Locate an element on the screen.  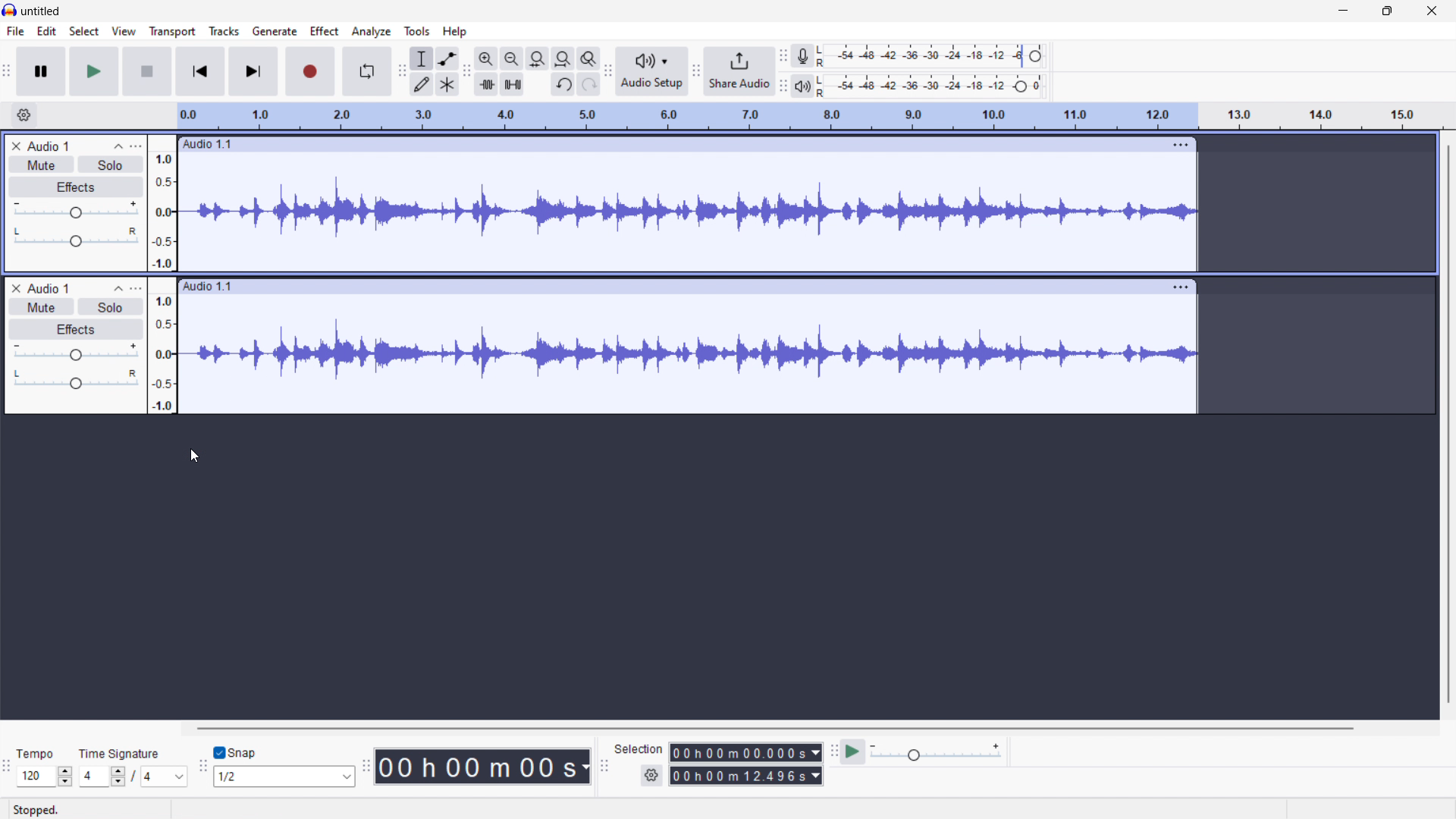
vertical scrollbar is located at coordinates (1445, 430).